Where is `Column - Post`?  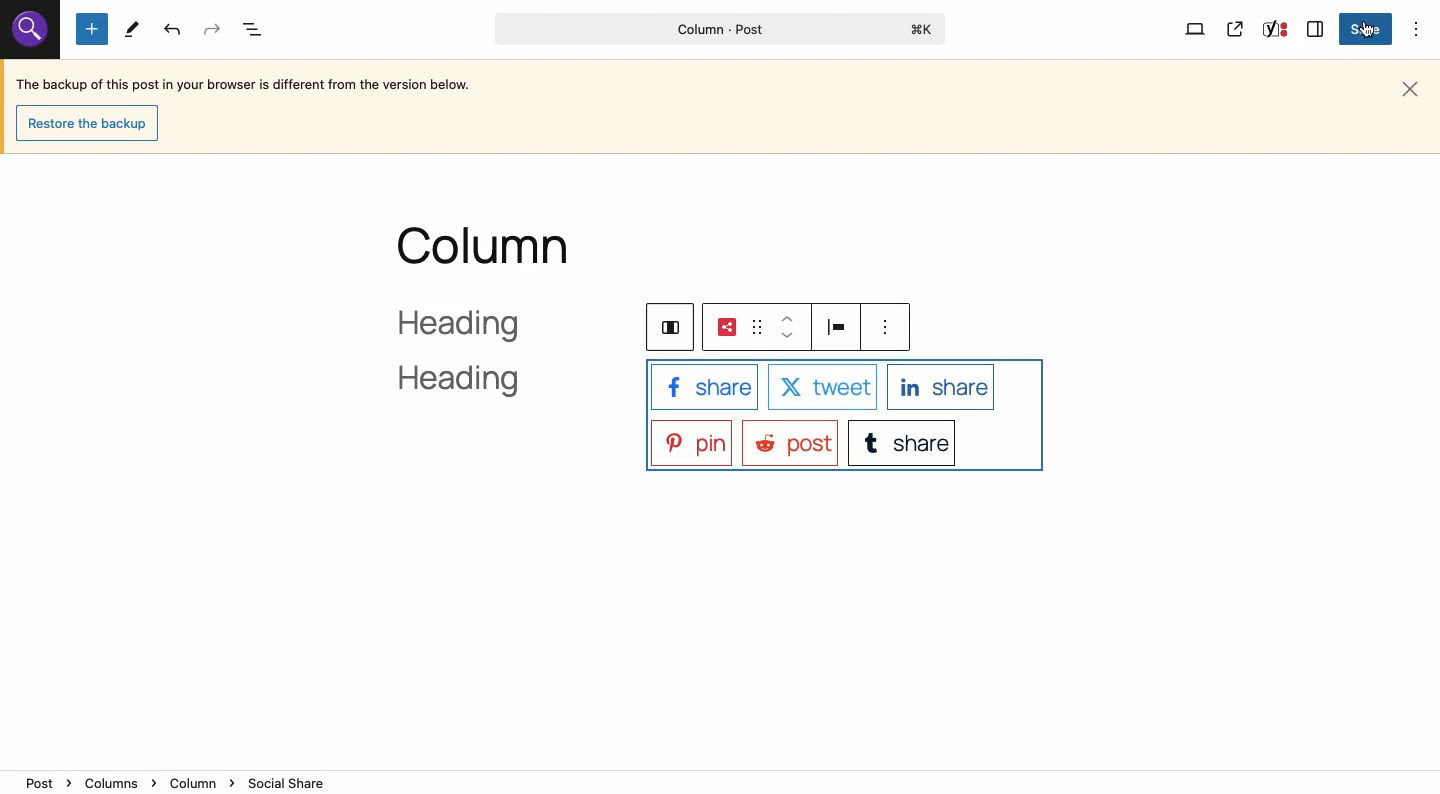 Column - Post is located at coordinates (715, 29).